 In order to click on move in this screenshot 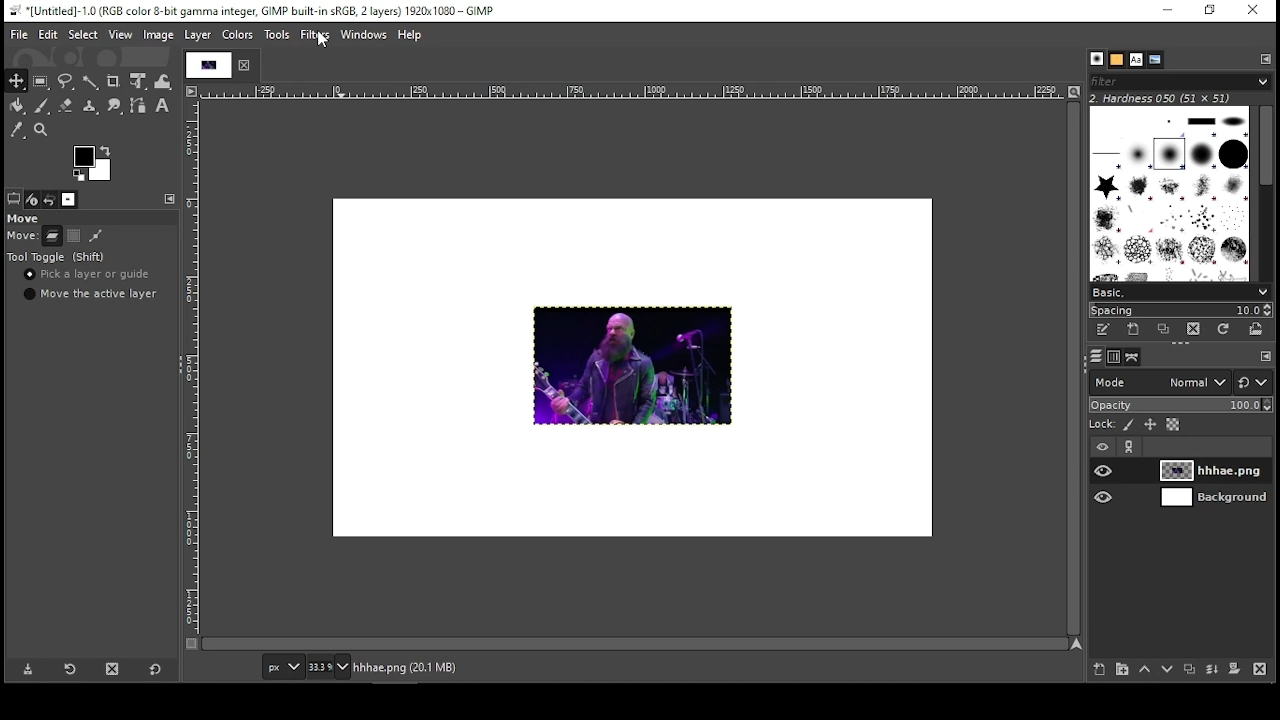, I will do `click(26, 218)`.